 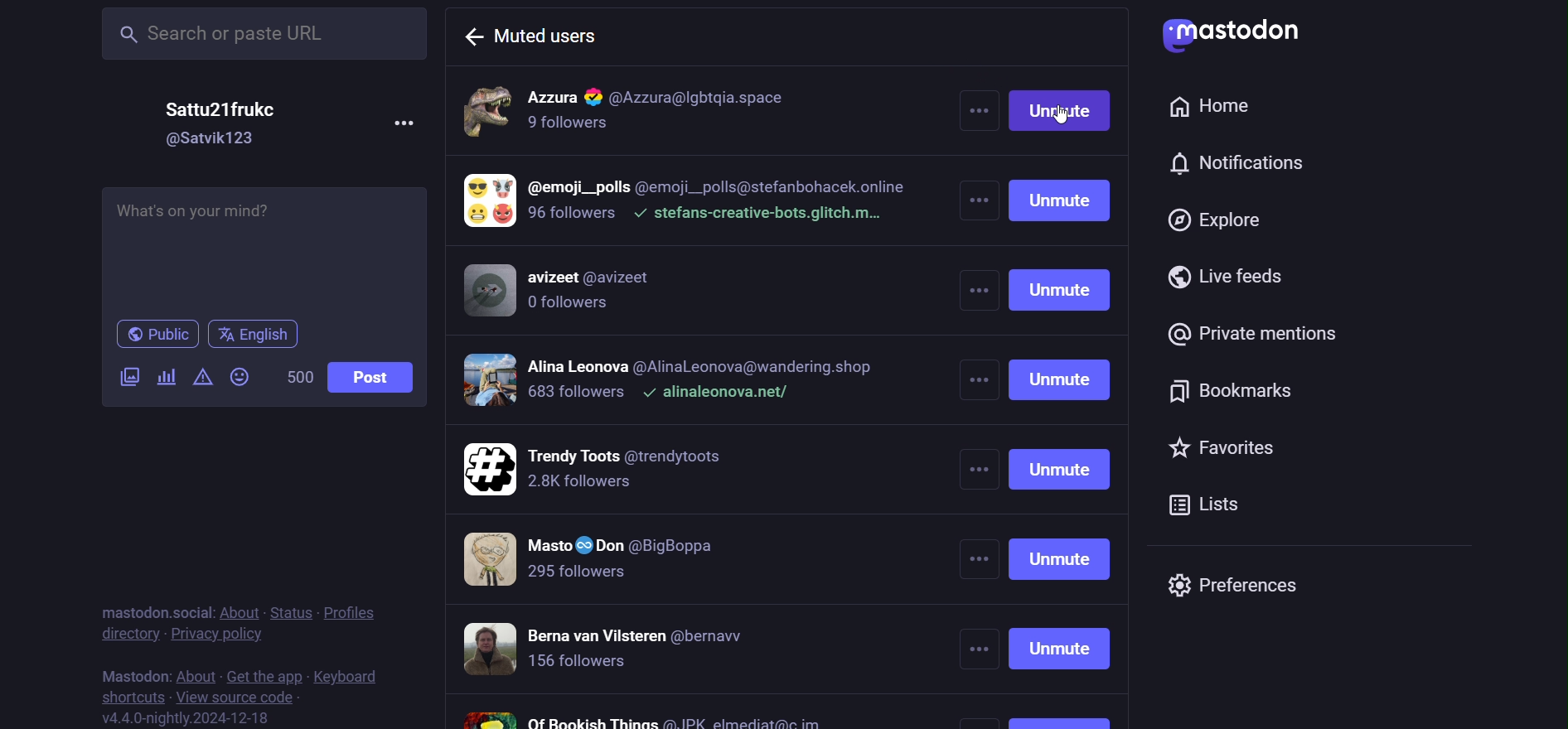 What do you see at coordinates (377, 375) in the screenshot?
I see `post` at bounding box center [377, 375].